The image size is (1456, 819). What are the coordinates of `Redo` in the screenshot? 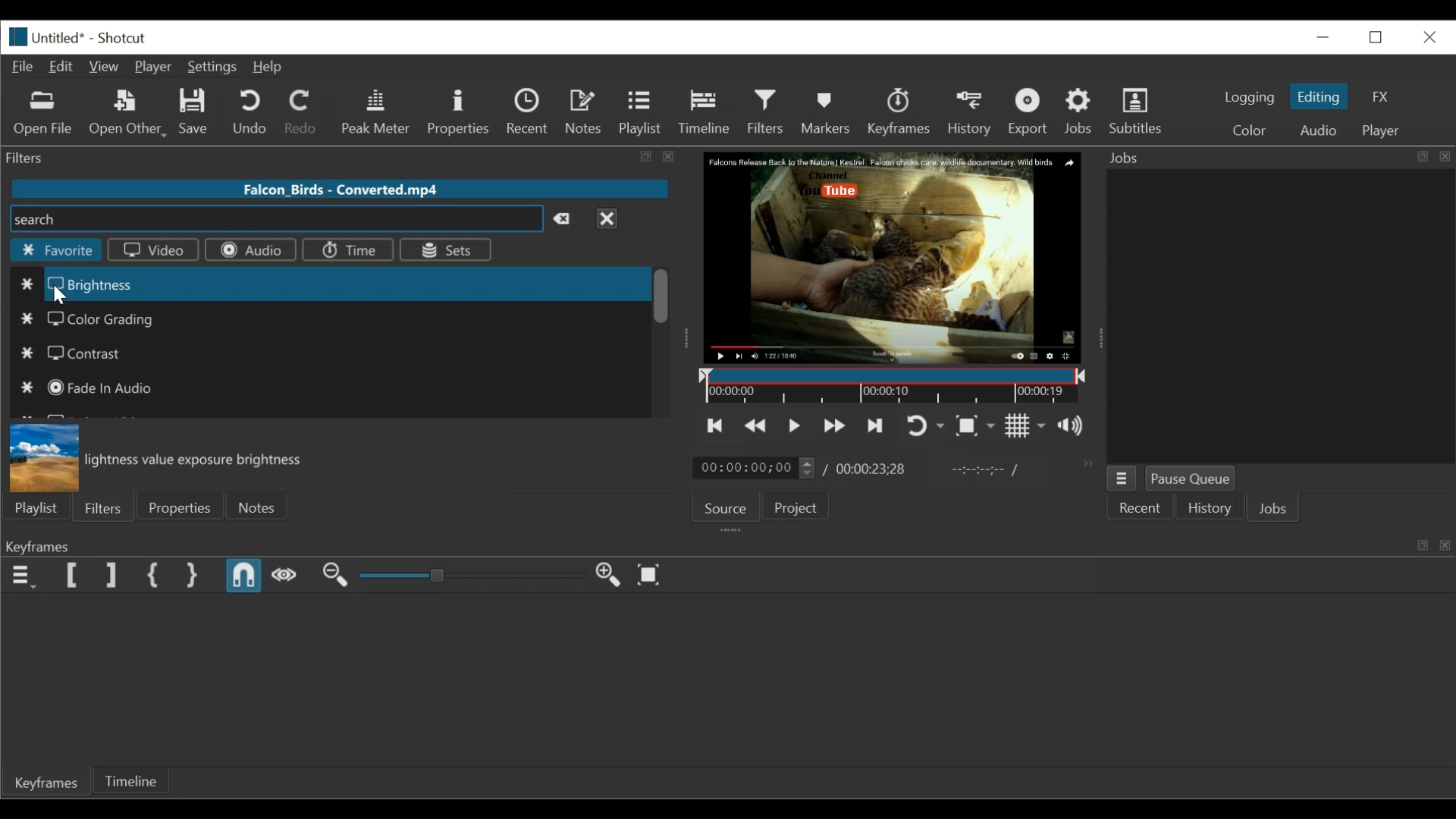 It's located at (304, 113).